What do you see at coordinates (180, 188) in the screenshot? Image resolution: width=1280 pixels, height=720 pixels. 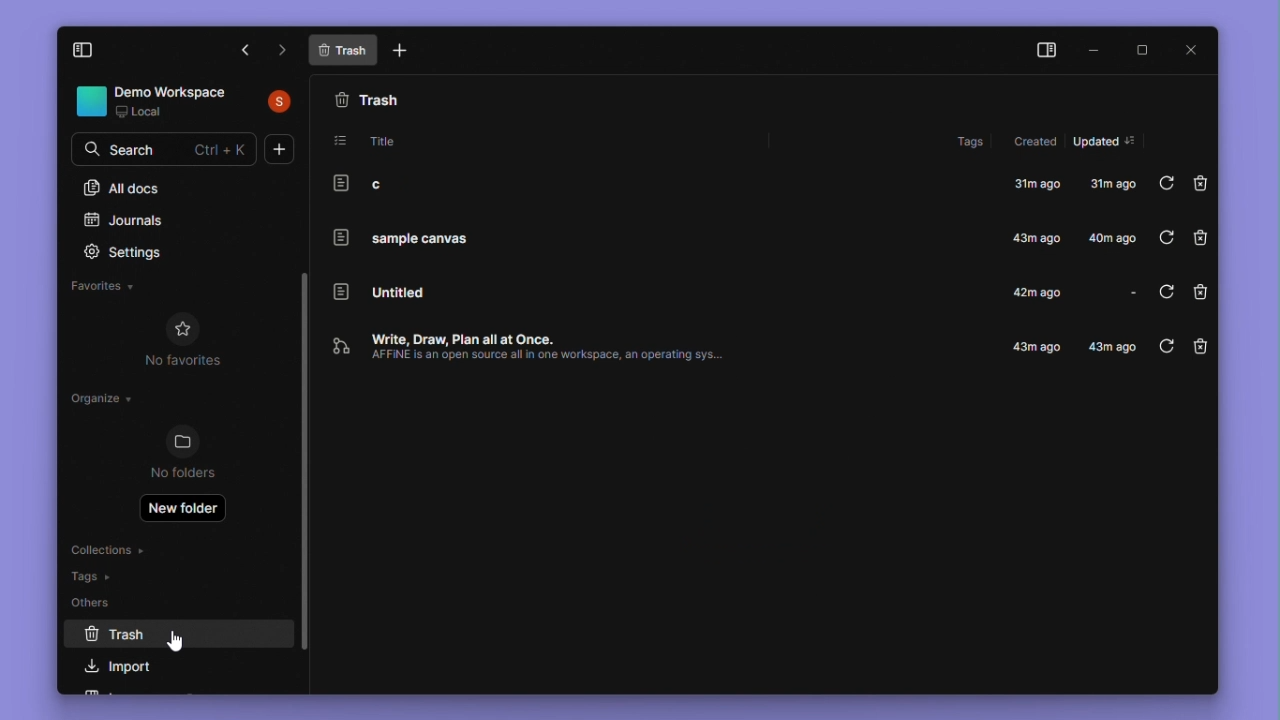 I see `All docs` at bounding box center [180, 188].